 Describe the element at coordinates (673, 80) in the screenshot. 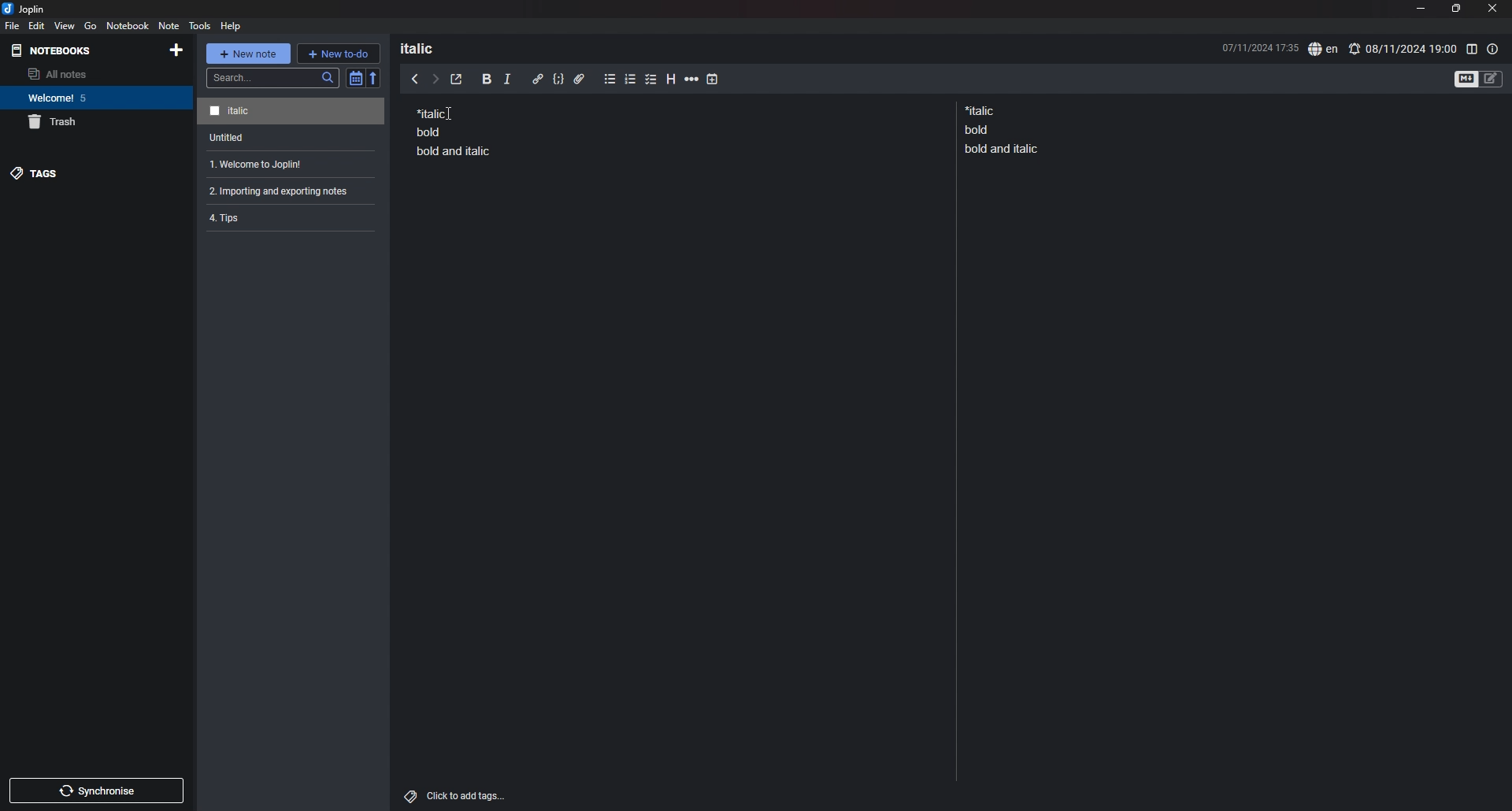

I see `heading` at that location.